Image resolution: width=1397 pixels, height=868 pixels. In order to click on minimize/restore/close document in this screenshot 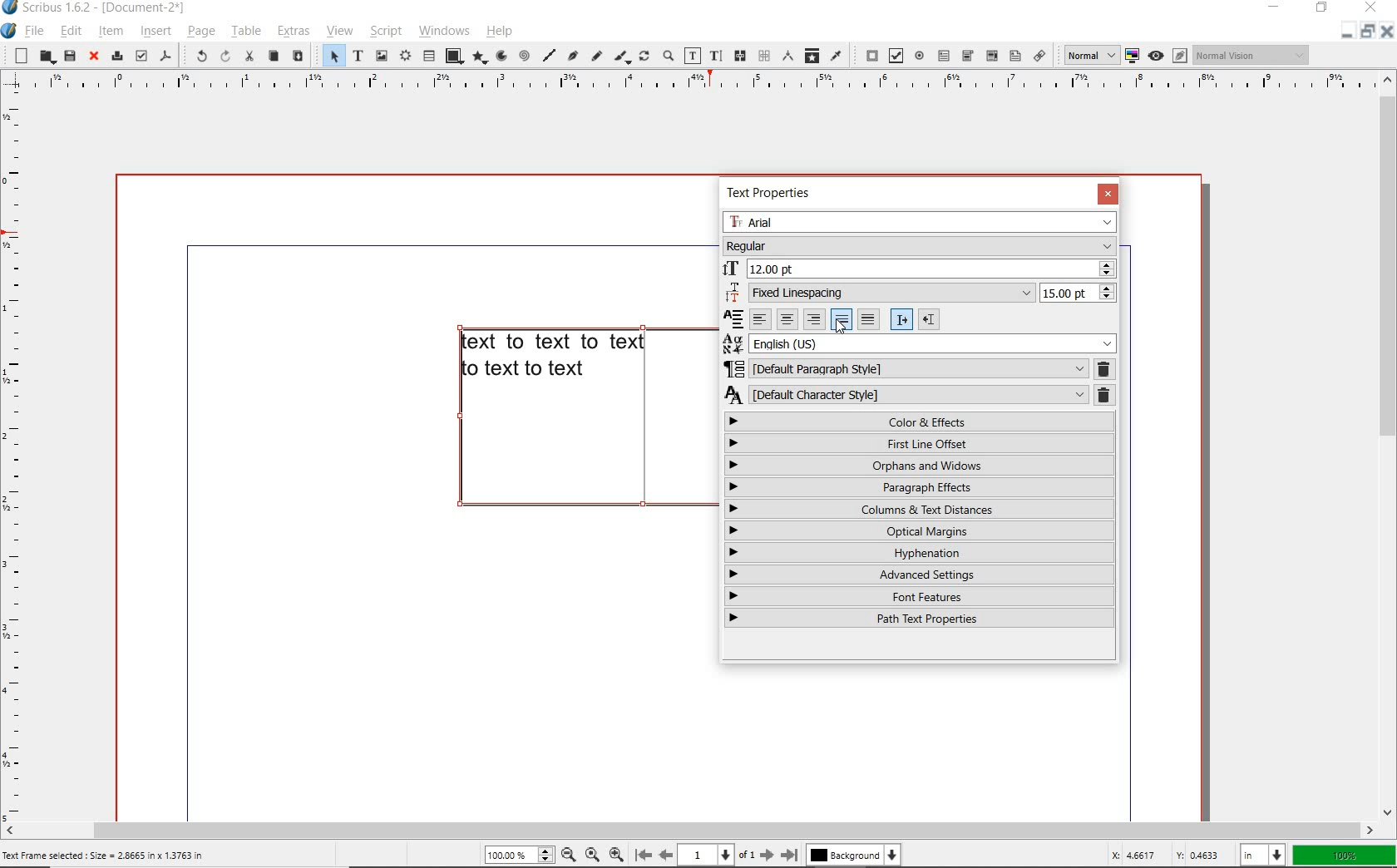, I will do `click(1368, 31)`.